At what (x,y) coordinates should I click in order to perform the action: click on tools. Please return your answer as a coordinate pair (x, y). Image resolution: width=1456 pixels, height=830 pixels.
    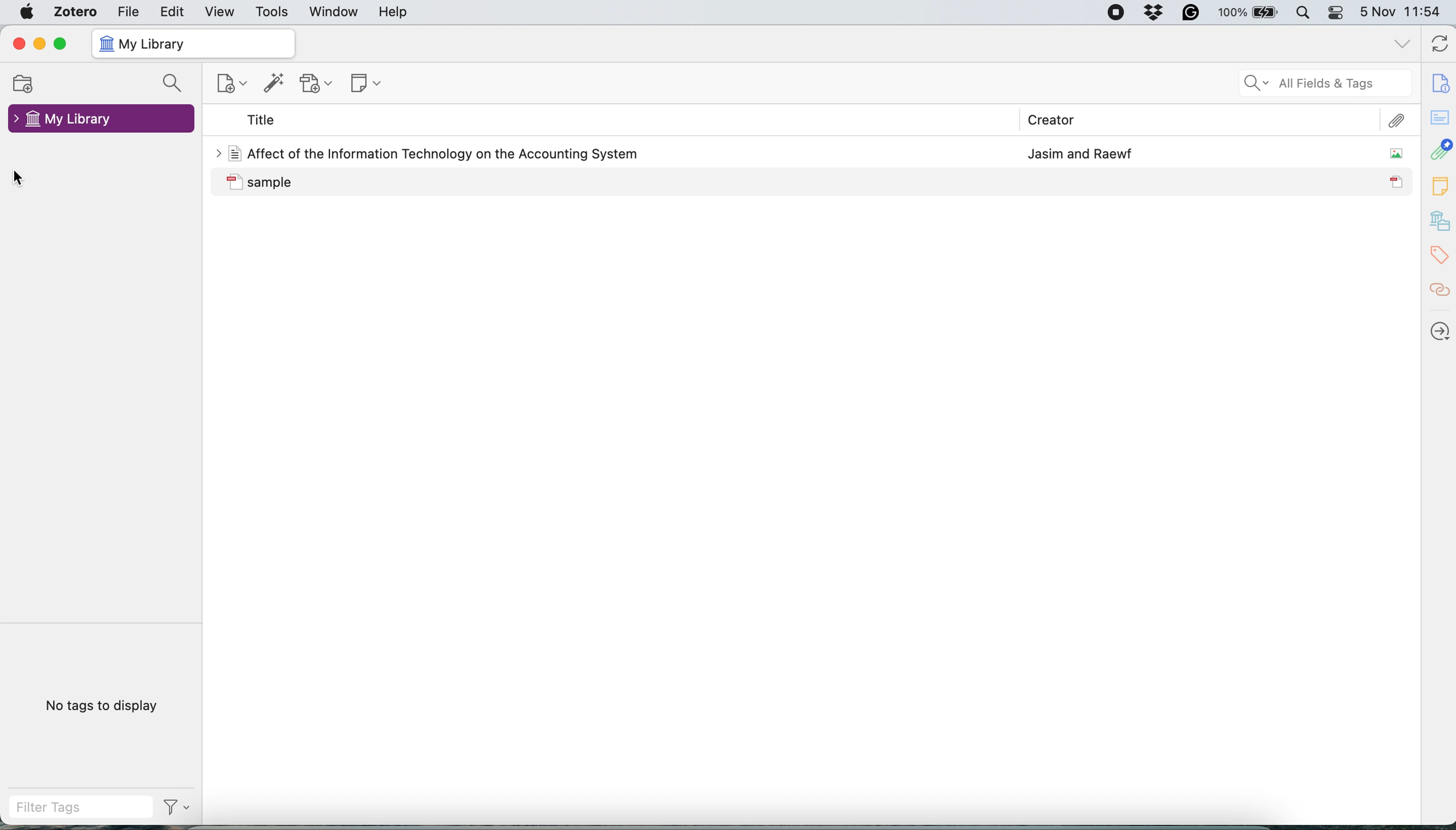
    Looking at the image, I should click on (271, 12).